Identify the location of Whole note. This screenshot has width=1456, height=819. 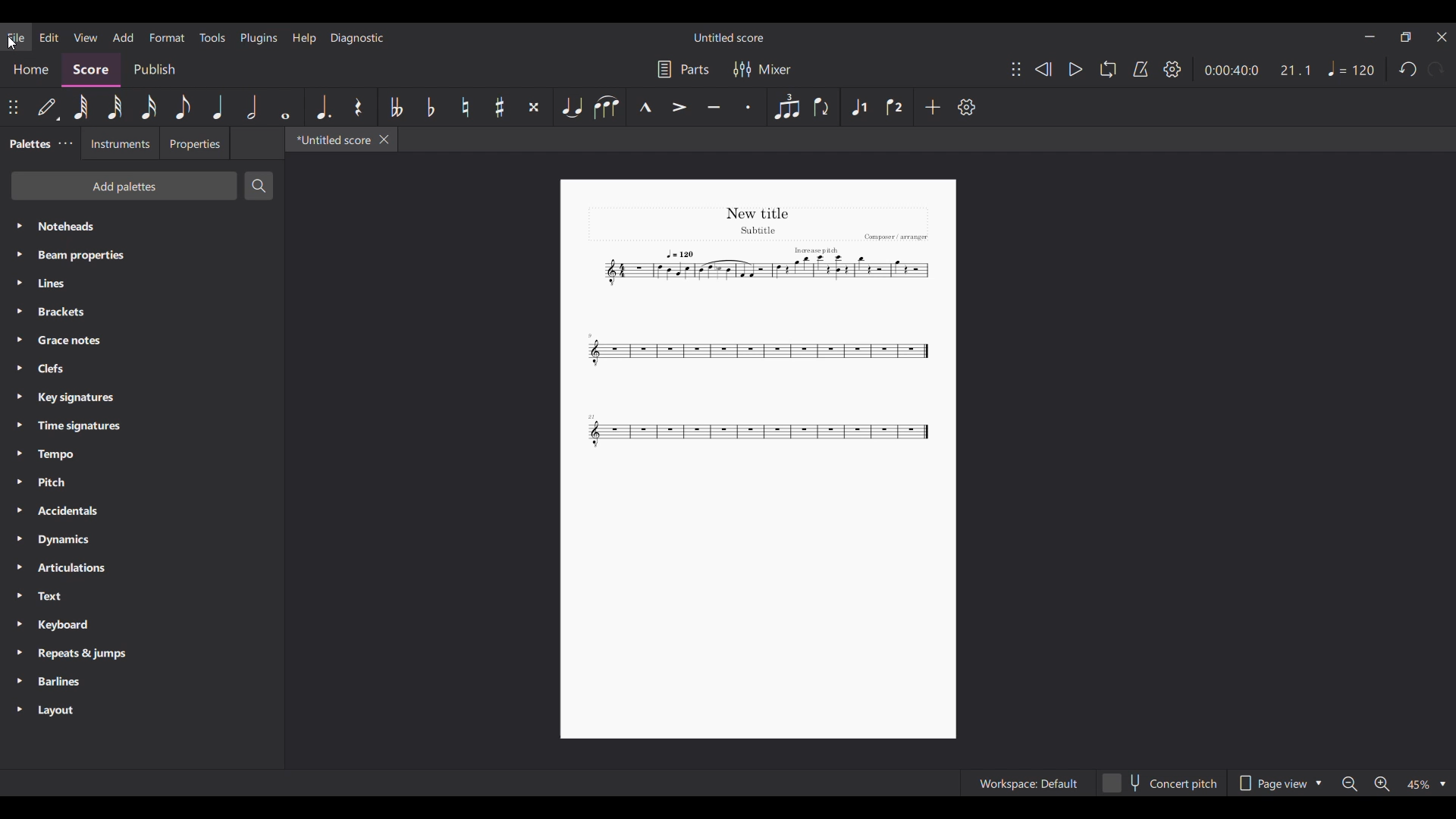
(285, 107).